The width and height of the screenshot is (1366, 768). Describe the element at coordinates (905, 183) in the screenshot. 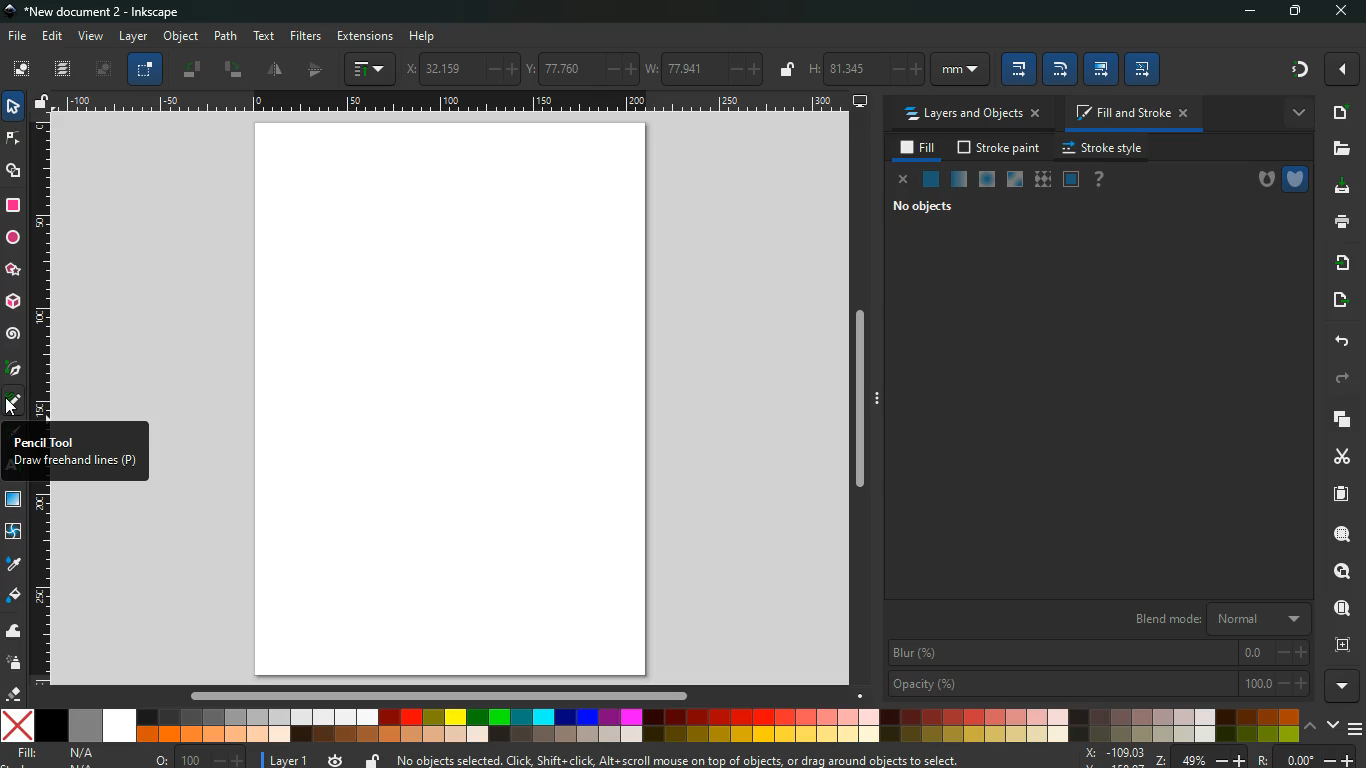

I see `close` at that location.